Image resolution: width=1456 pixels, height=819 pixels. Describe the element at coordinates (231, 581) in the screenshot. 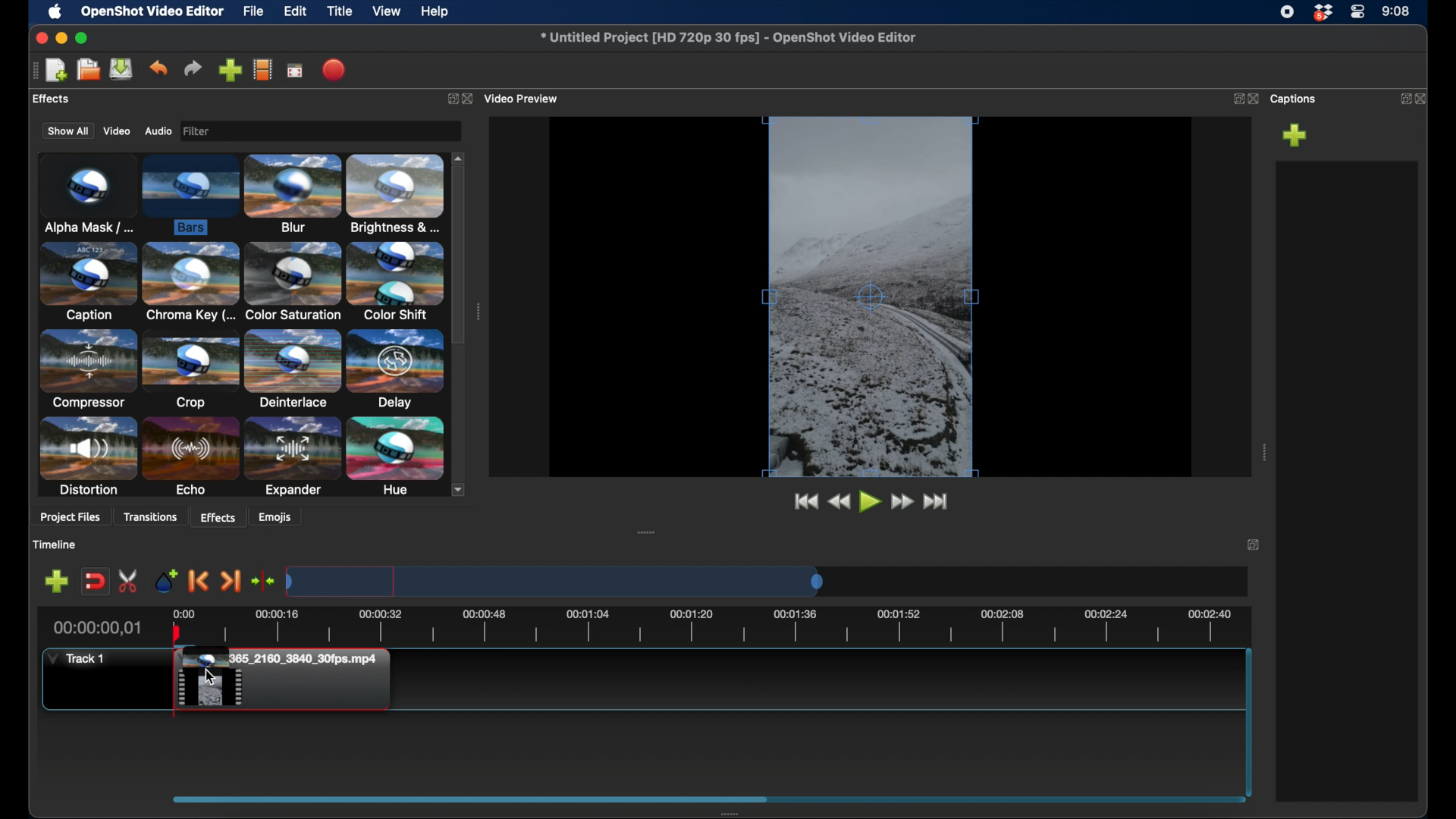

I see `next marker` at that location.